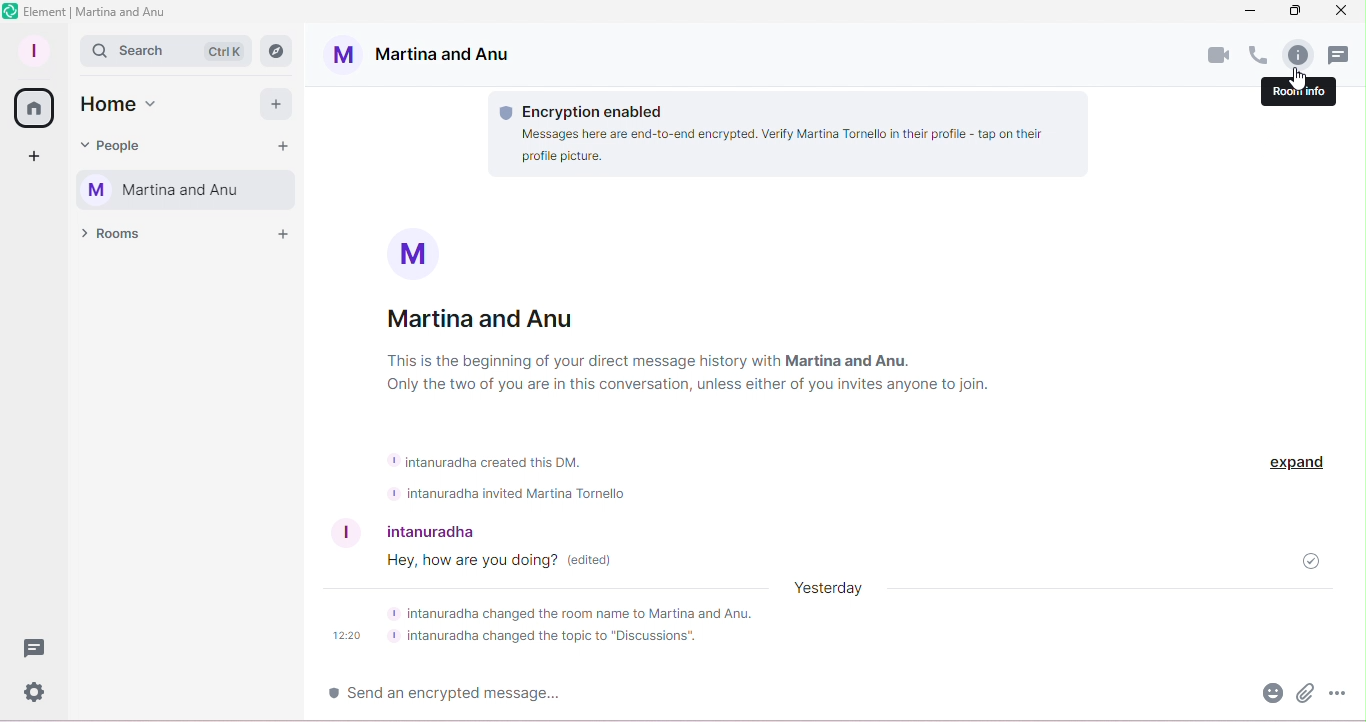 Image resolution: width=1366 pixels, height=722 pixels. I want to click on Explore rooms, so click(281, 48).